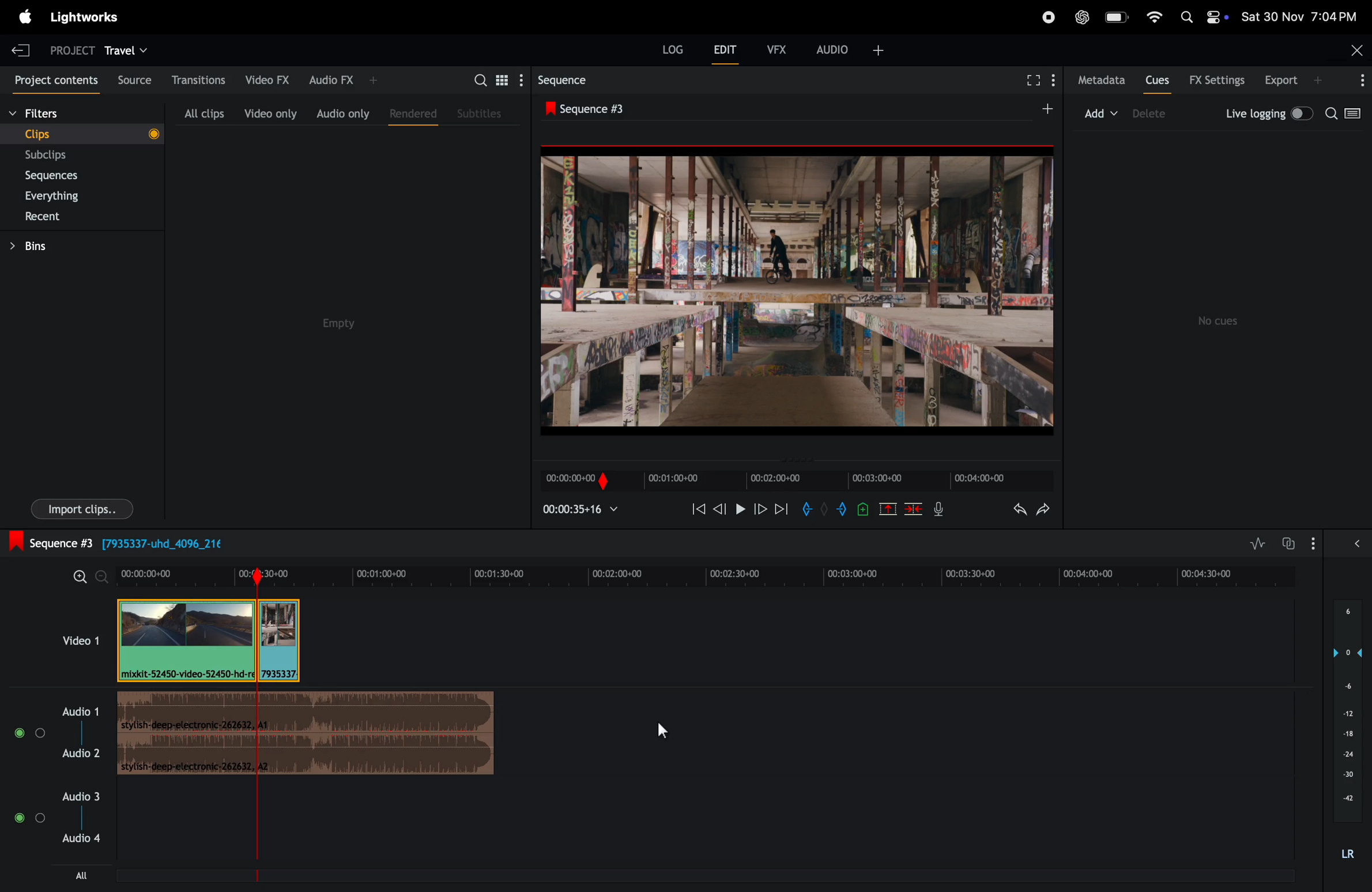  Describe the element at coordinates (937, 511) in the screenshot. I see `mic` at that location.